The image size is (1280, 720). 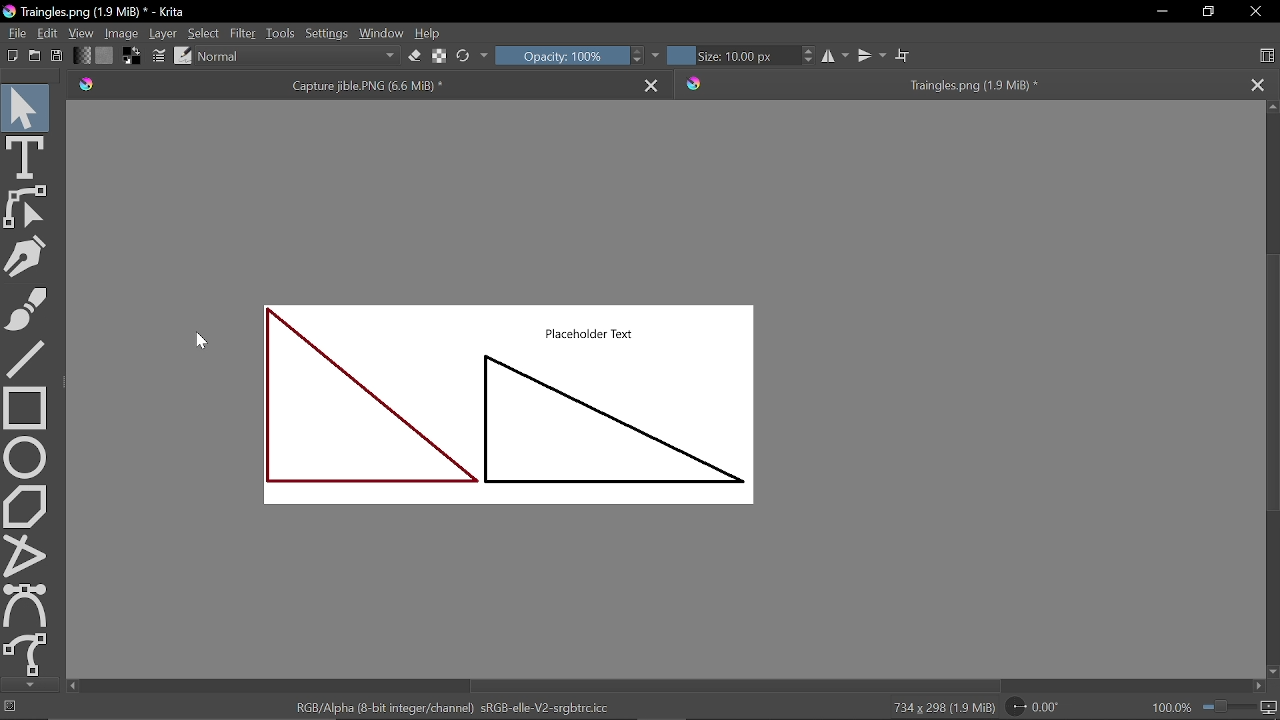 I want to click on Reload original preset, so click(x=462, y=58).